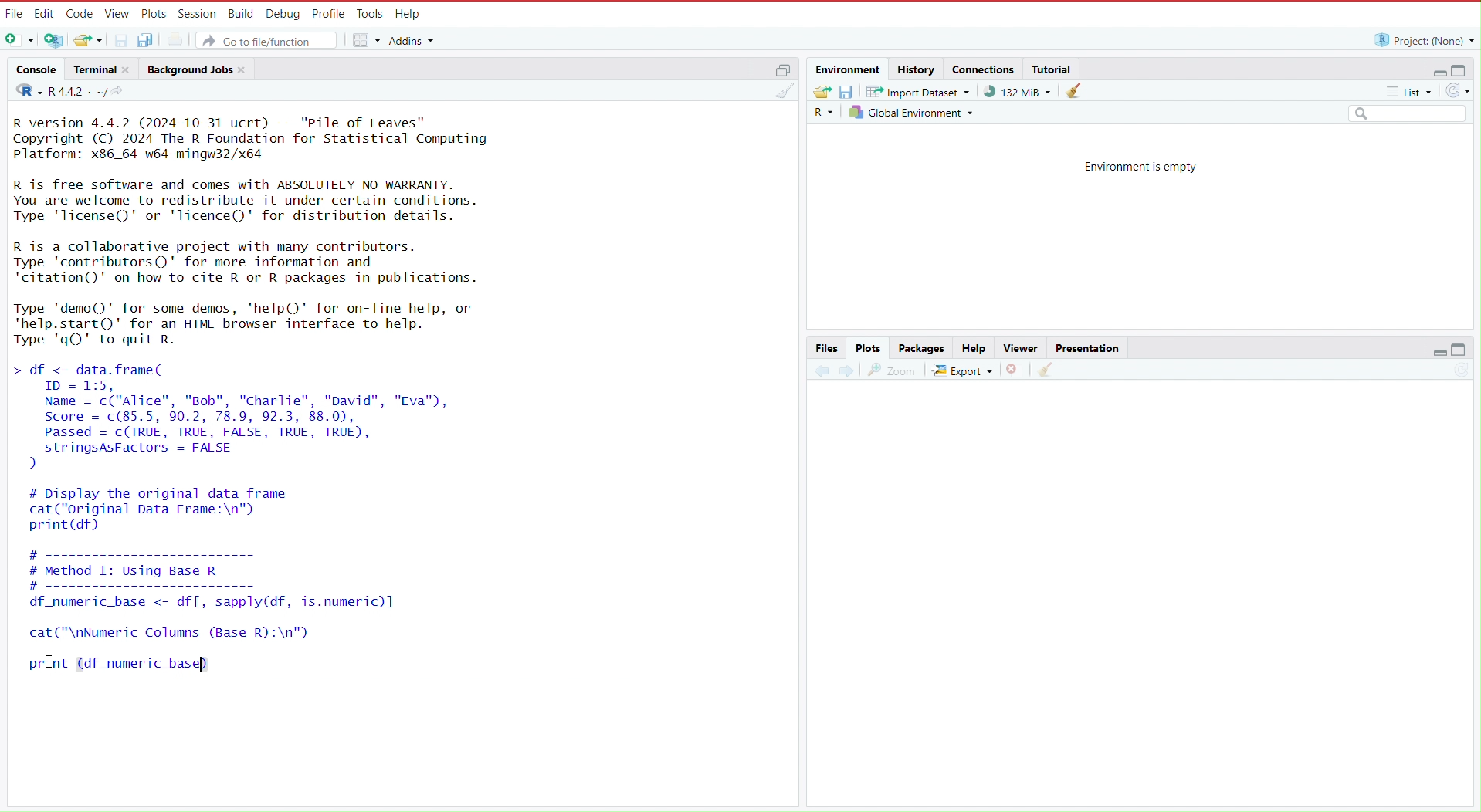  Describe the element at coordinates (1046, 371) in the screenshot. I see `clear all plots` at that location.